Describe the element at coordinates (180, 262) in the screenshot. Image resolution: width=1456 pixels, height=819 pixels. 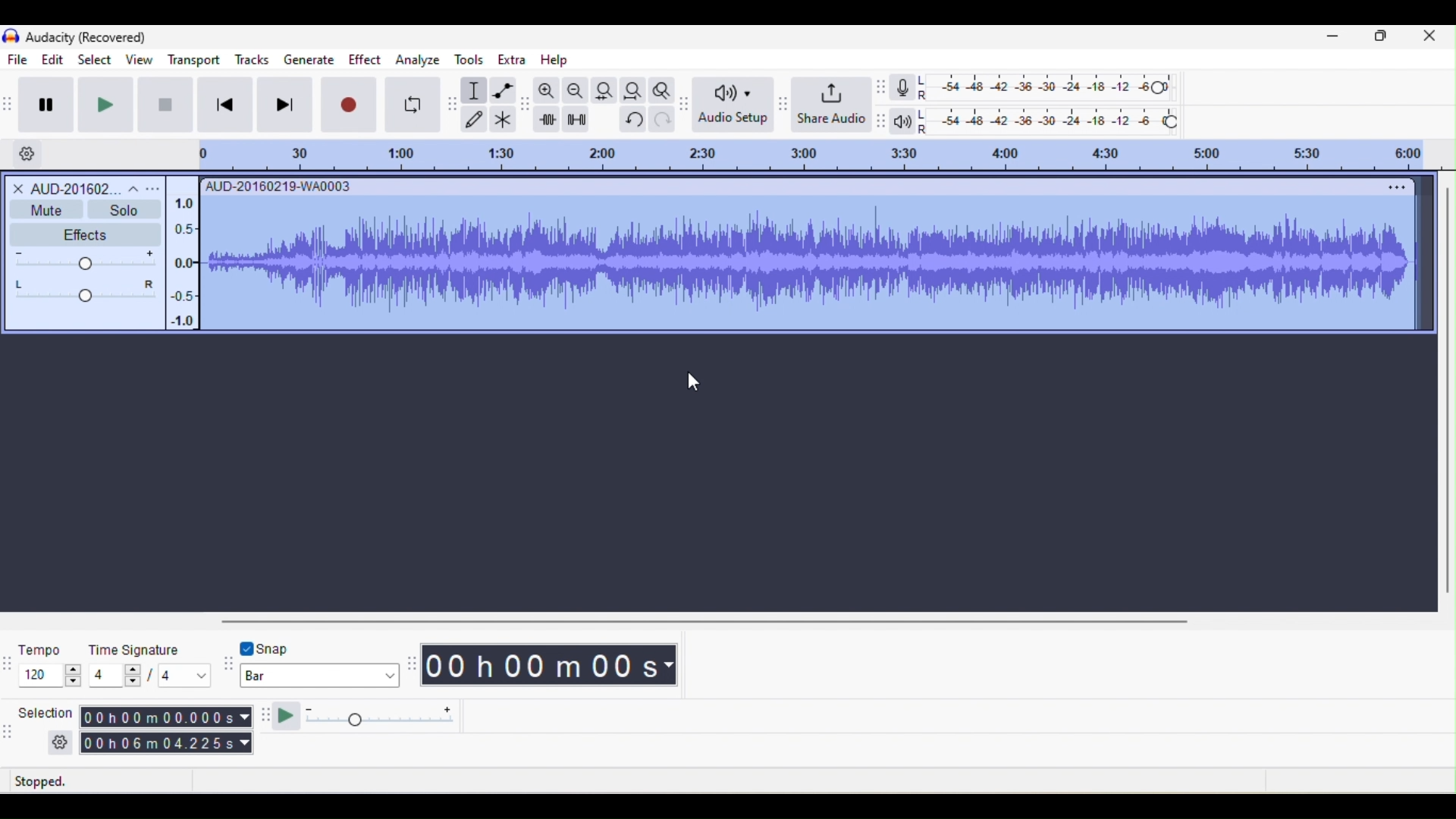
I see `Scale` at that location.